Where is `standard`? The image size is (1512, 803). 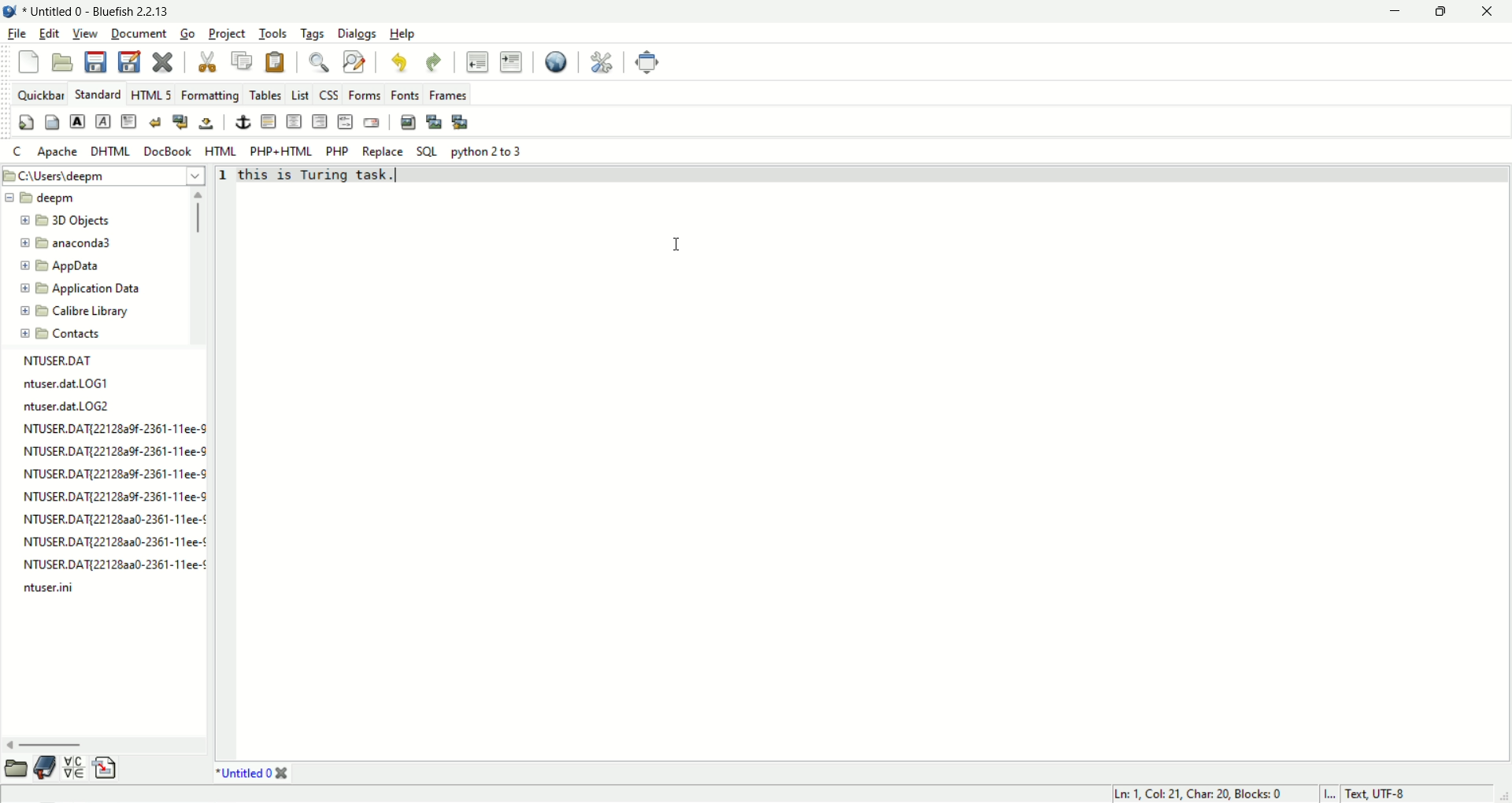
standard is located at coordinates (98, 93).